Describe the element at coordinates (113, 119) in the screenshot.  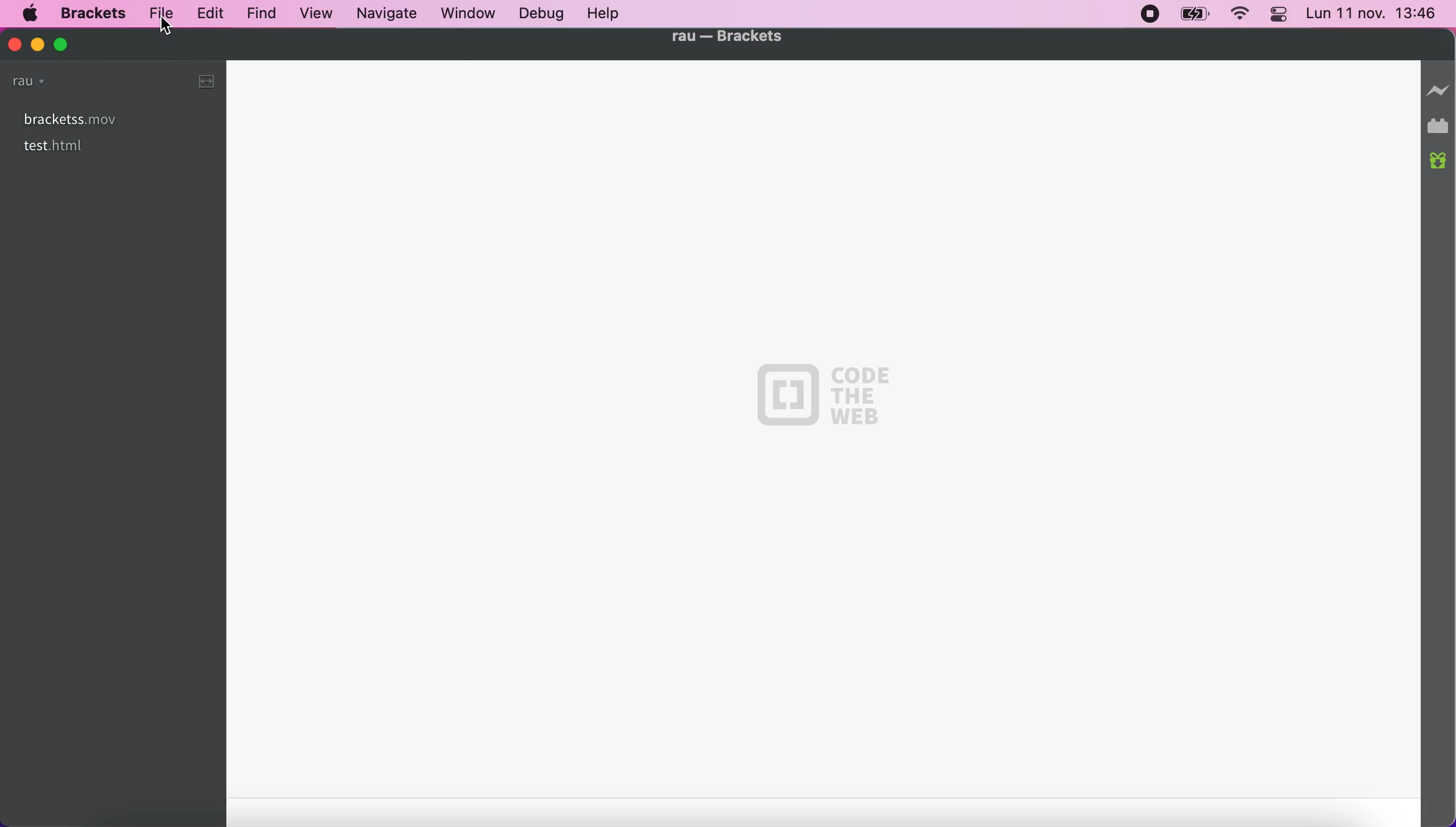
I see `bracketss.mov` at that location.